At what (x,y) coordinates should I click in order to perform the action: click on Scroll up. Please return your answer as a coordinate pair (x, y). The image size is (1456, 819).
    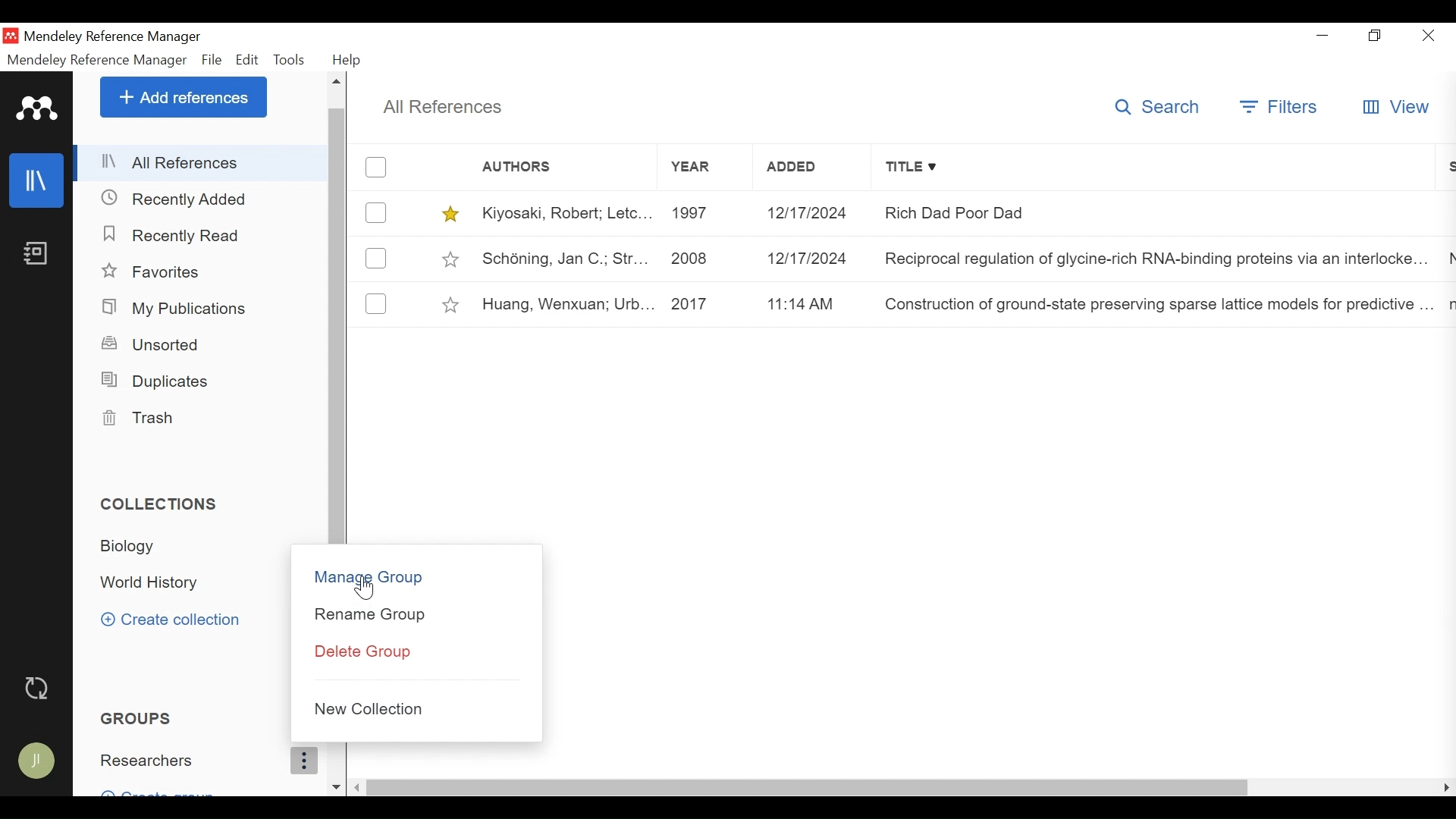
    Looking at the image, I should click on (338, 81).